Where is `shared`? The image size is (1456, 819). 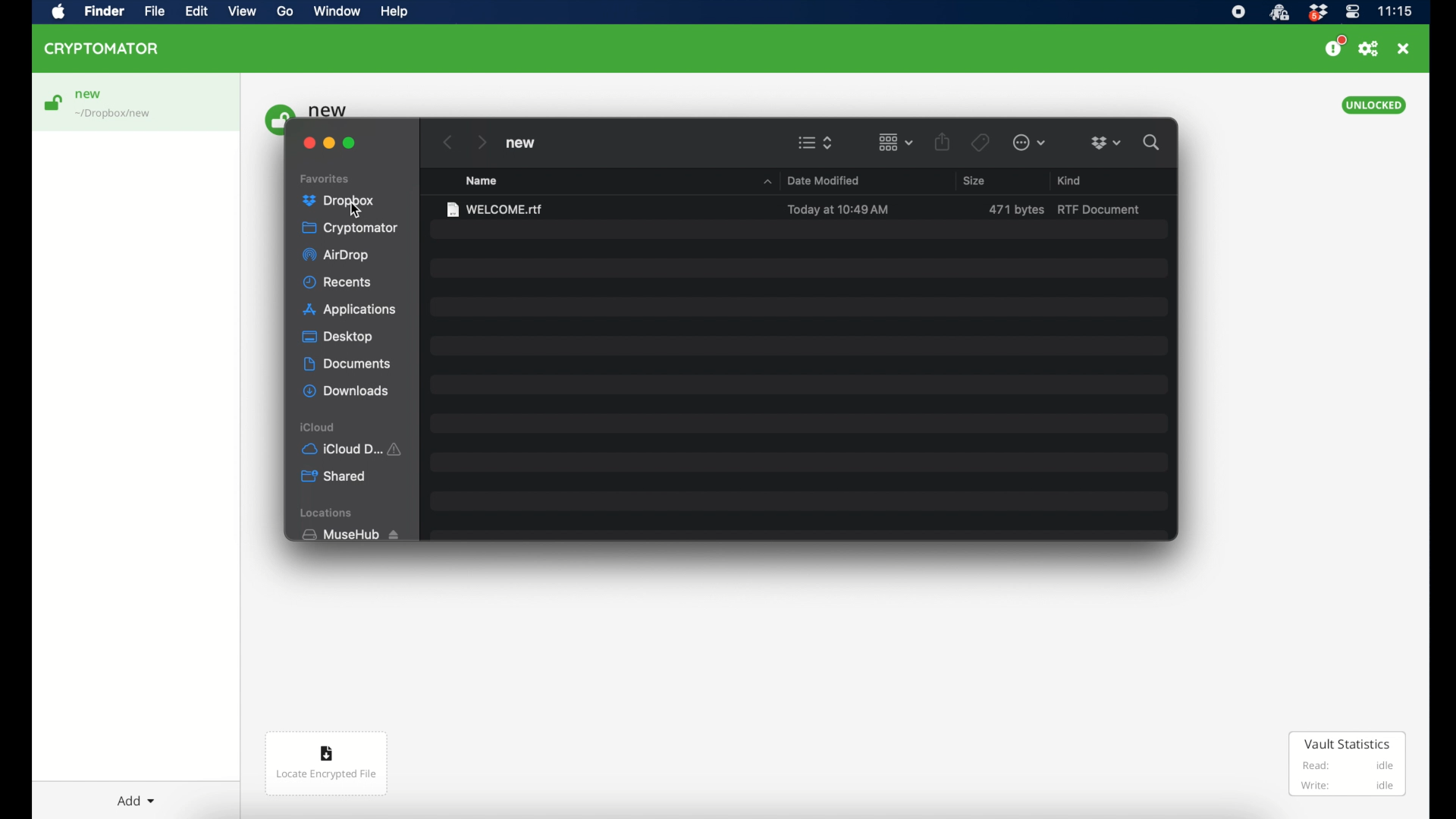 shared is located at coordinates (334, 476).